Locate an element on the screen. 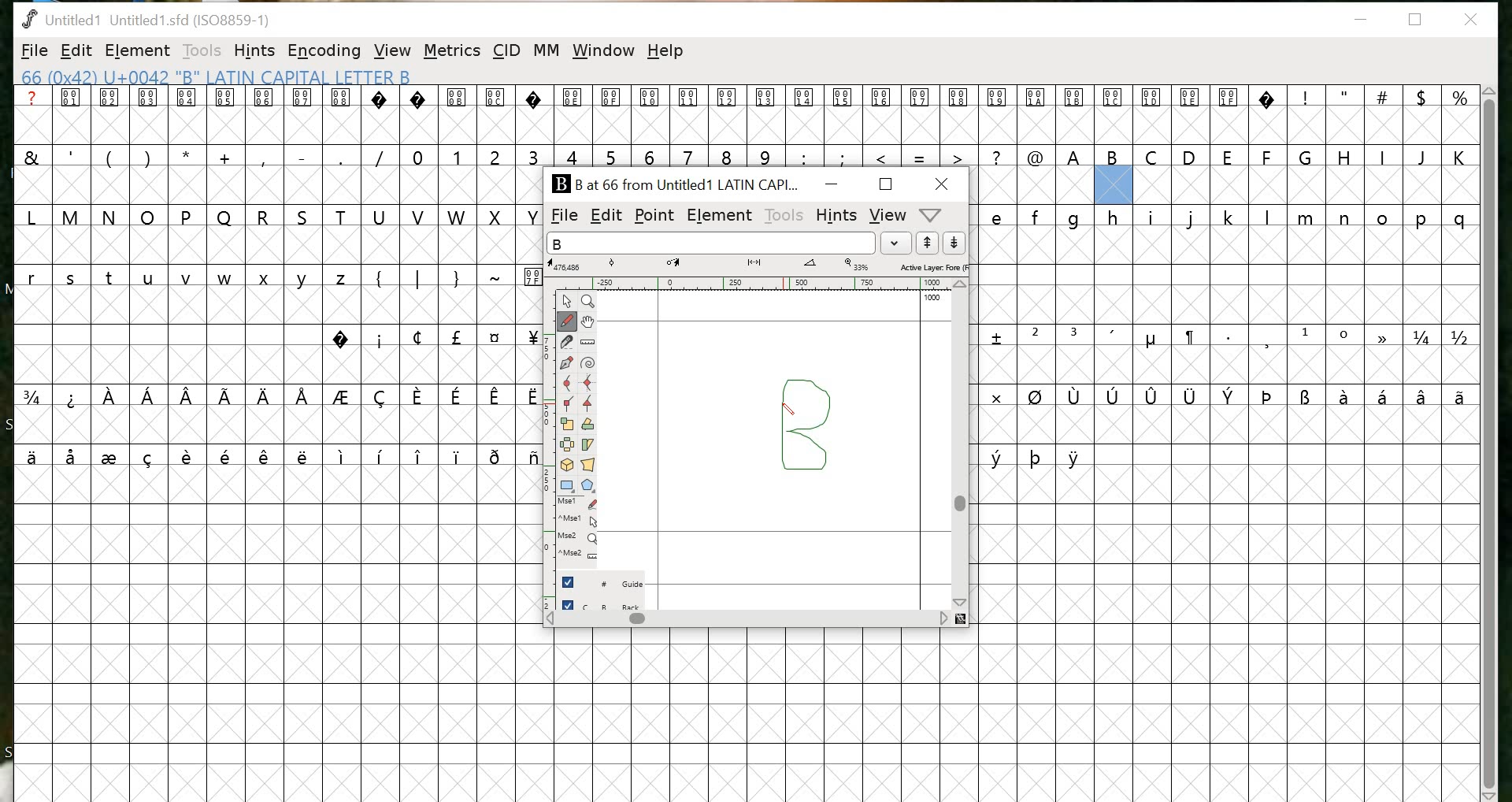 The height and width of the screenshot is (802, 1512). Scale is located at coordinates (568, 427).